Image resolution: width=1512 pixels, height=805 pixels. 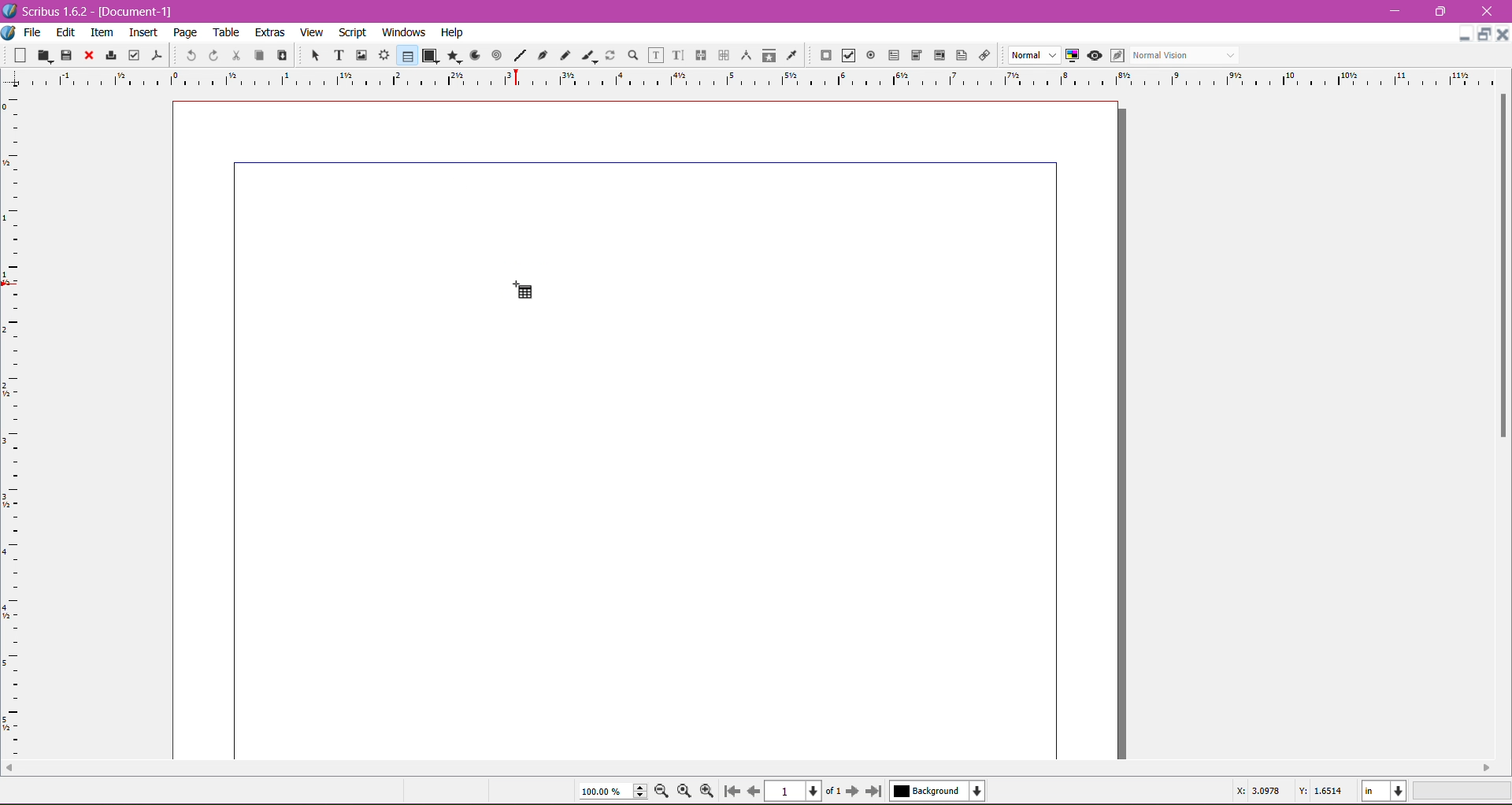 I want to click on Maximize, so click(x=1441, y=11).